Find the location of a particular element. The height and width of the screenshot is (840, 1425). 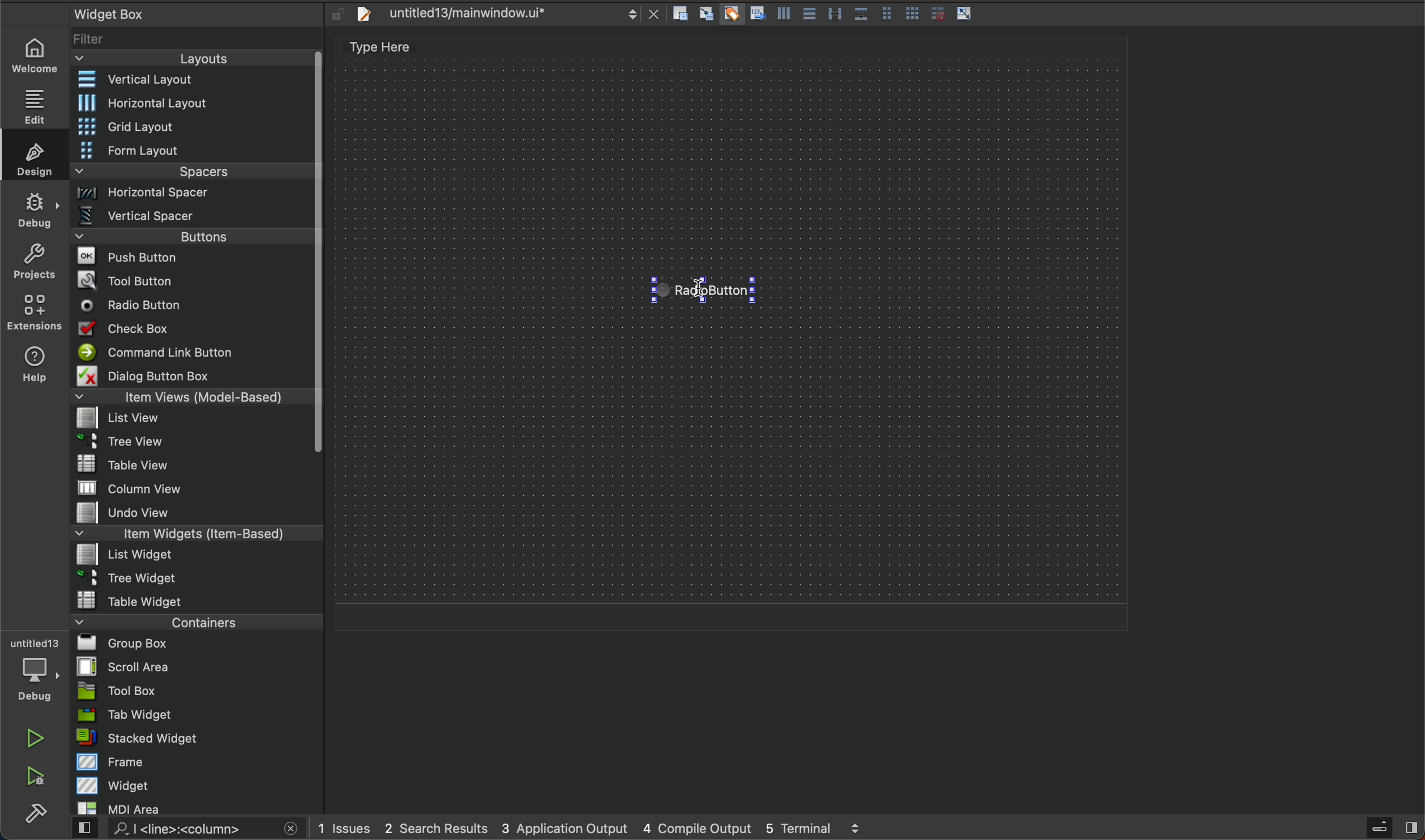

vertical spacer is located at coordinates (192, 218).